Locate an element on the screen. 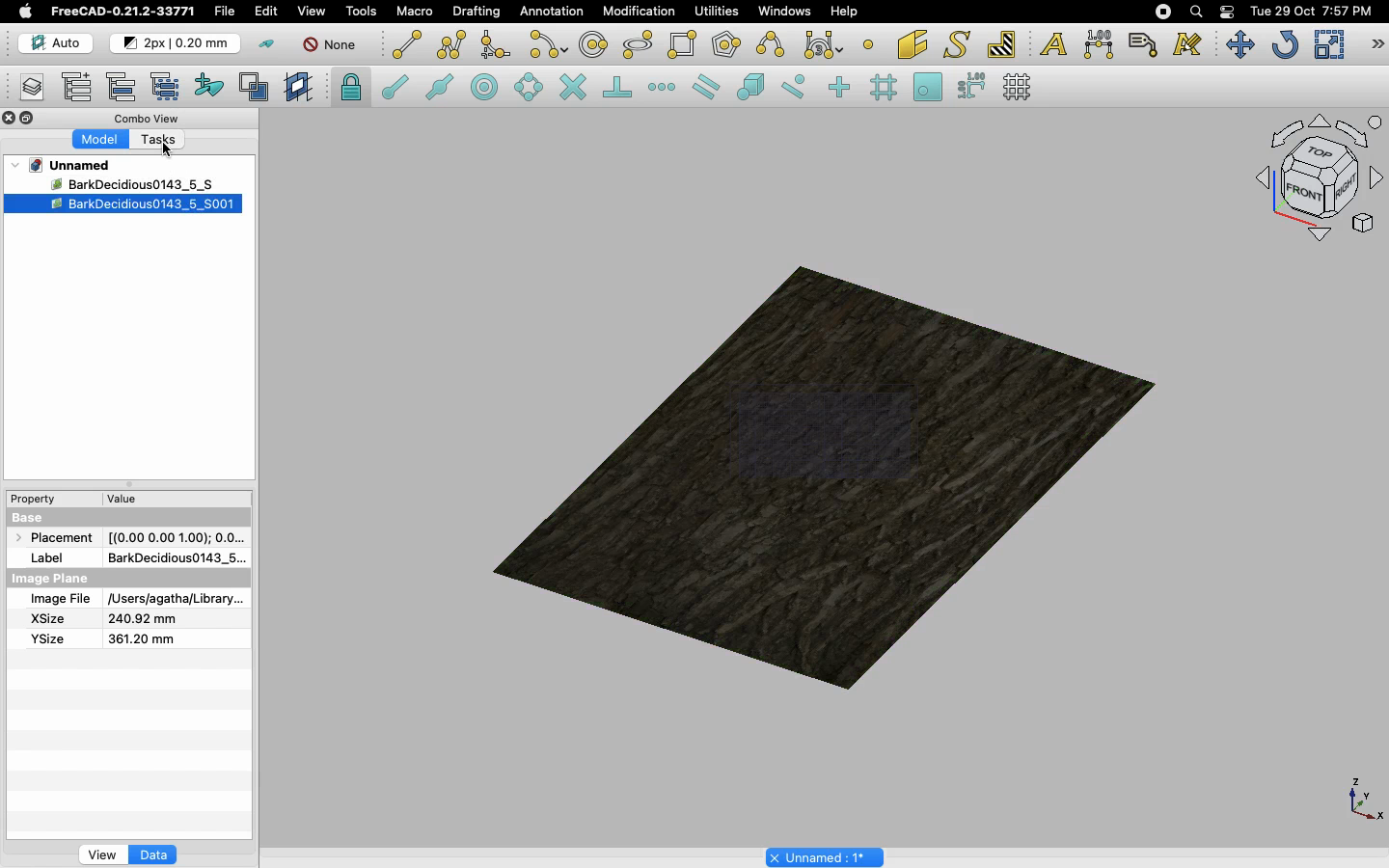 The height and width of the screenshot is (868, 1389). Toggle grid is located at coordinates (1019, 87).